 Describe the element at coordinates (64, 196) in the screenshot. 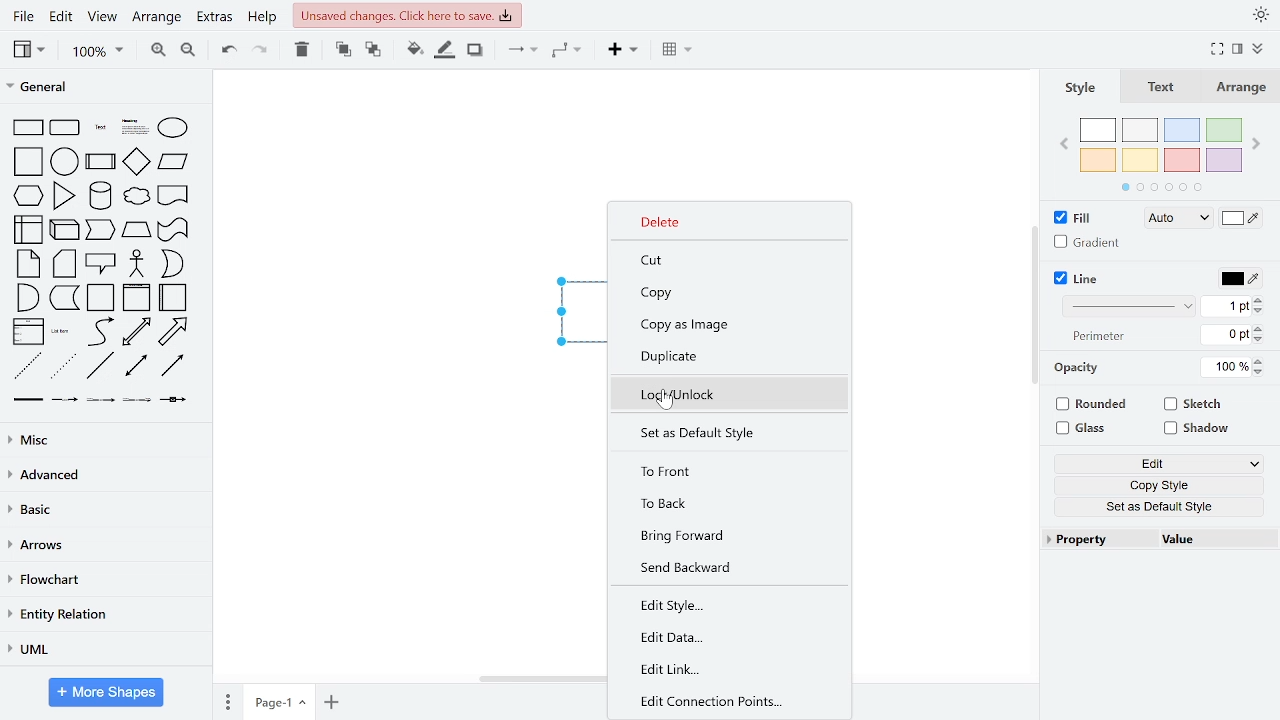

I see `triangle` at that location.